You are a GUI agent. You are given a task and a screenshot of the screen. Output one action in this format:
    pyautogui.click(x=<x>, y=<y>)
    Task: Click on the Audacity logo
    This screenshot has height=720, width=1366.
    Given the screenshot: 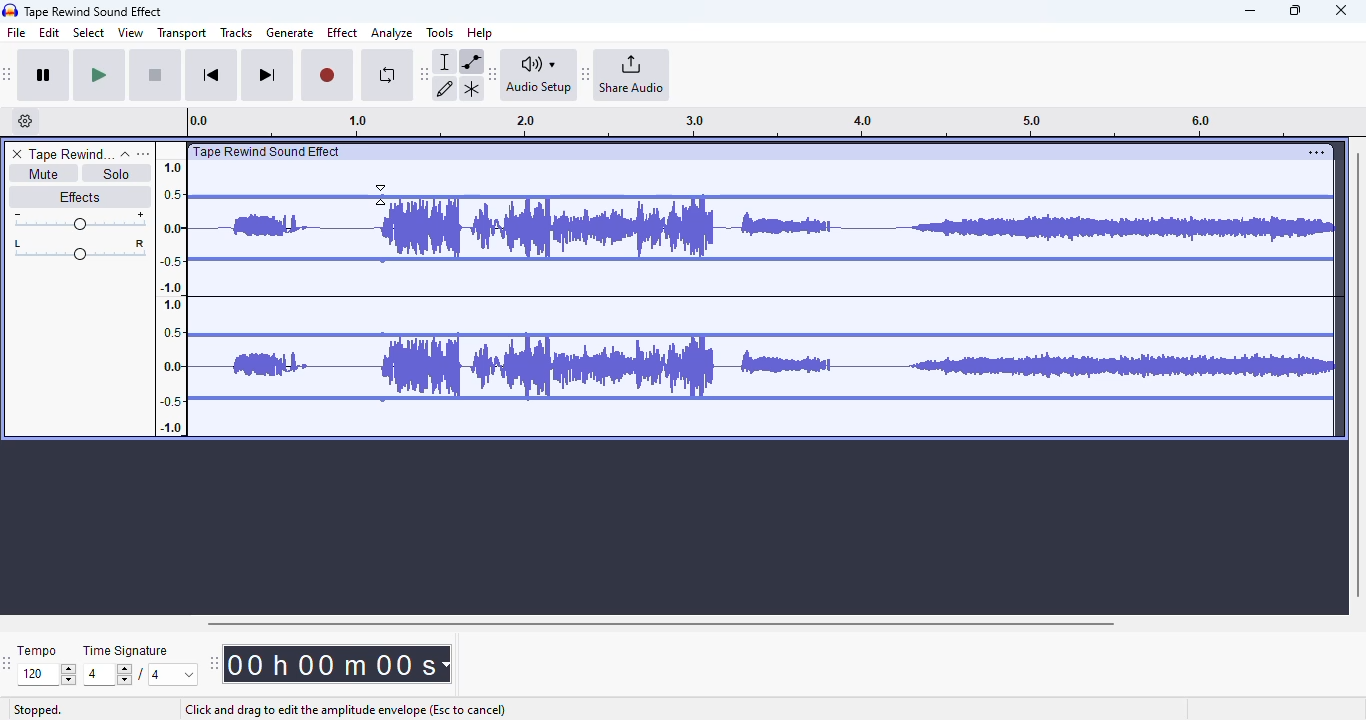 What is the action you would take?
    pyautogui.click(x=10, y=11)
    